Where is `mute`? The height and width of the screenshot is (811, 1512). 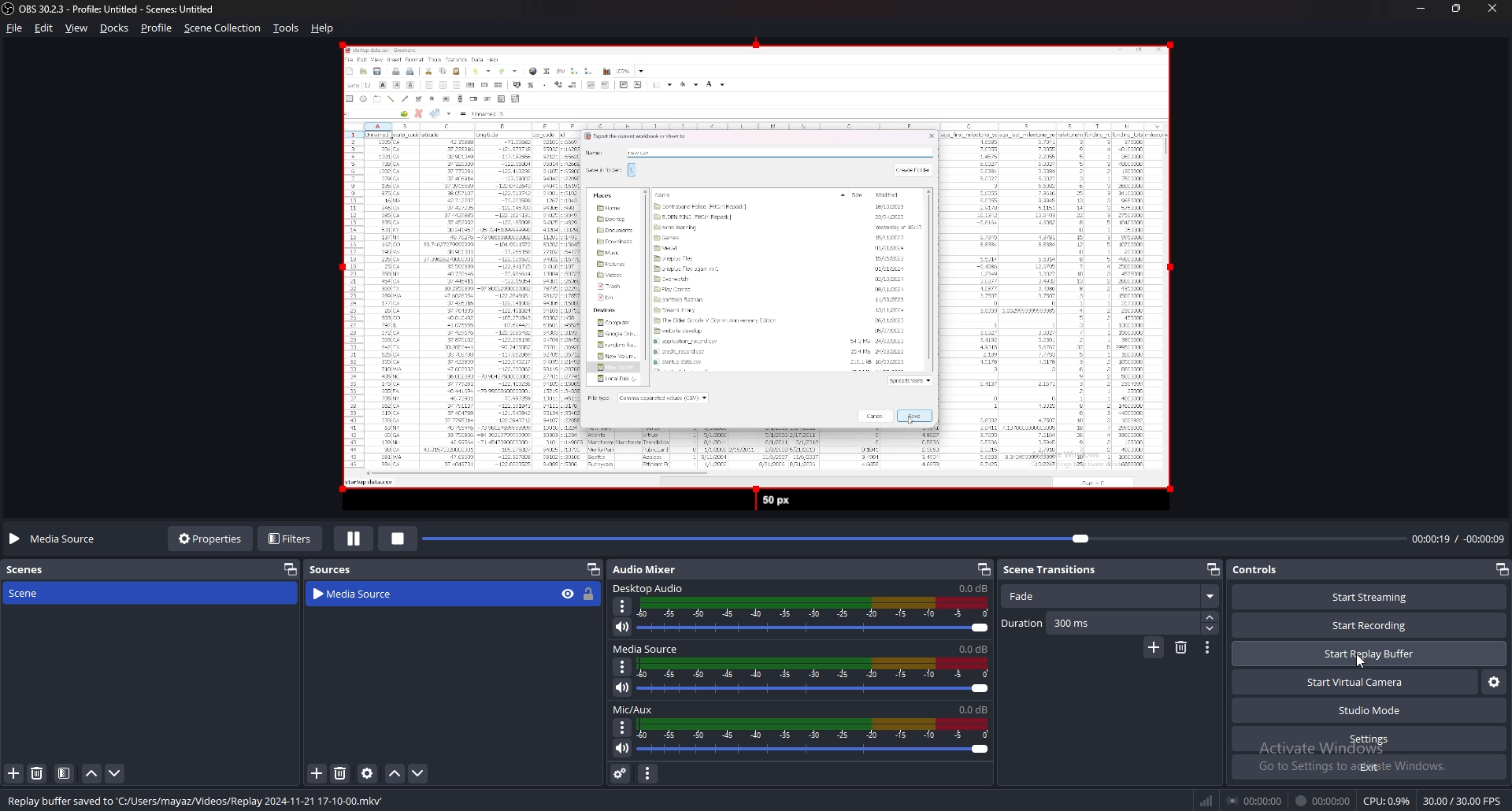
mute is located at coordinates (623, 628).